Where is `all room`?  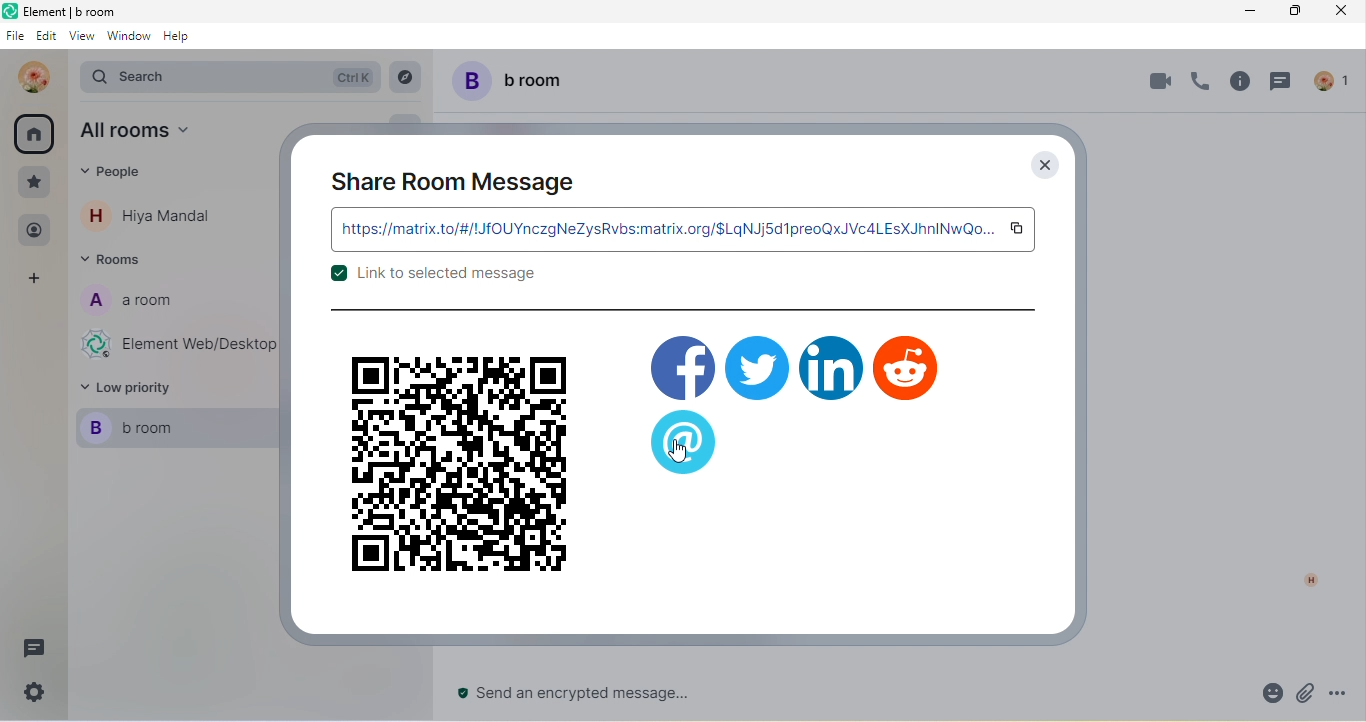
all room is located at coordinates (152, 134).